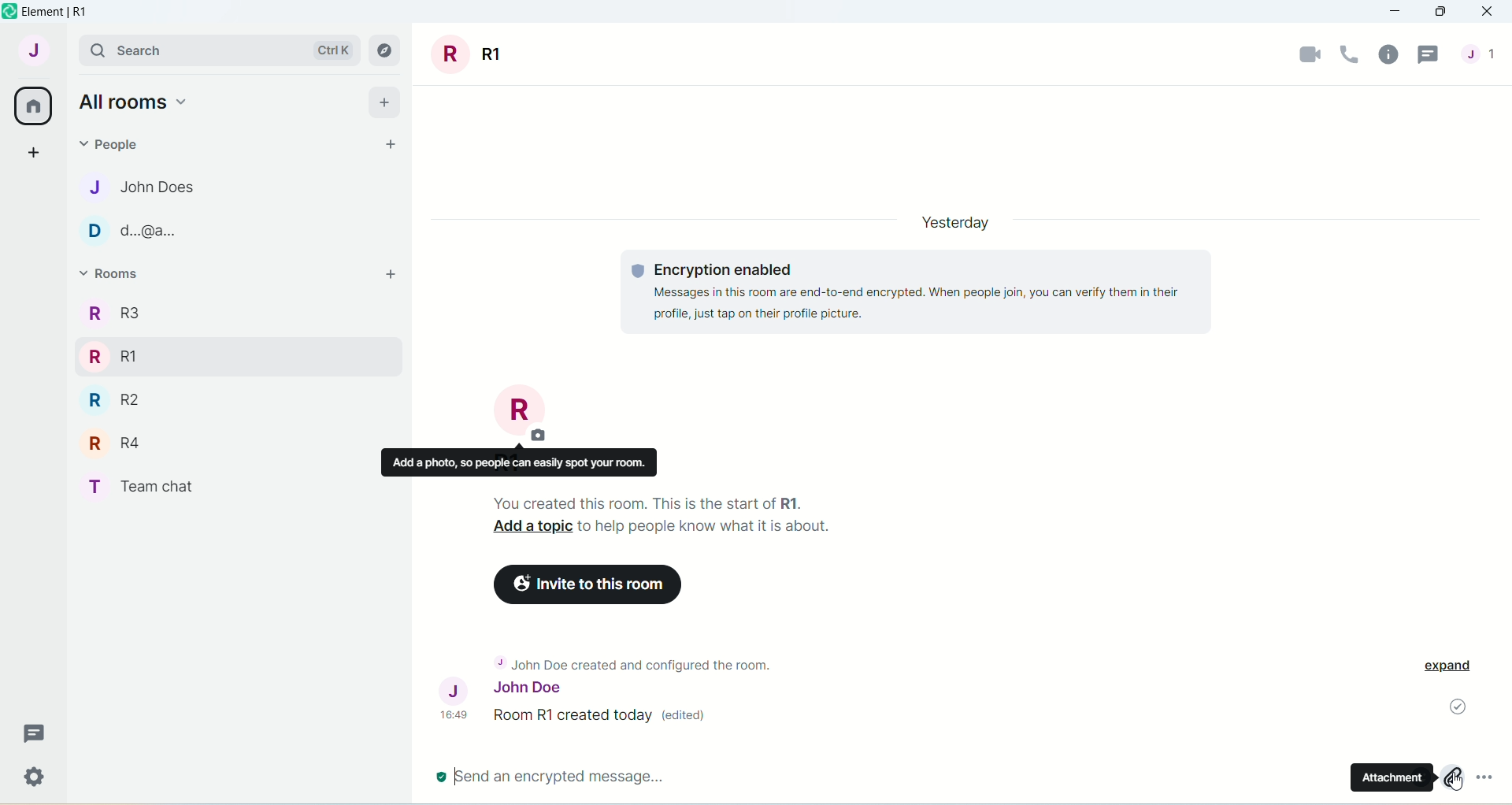 Image resolution: width=1512 pixels, height=805 pixels. What do you see at coordinates (133, 189) in the screenshot?
I see `J John Does` at bounding box center [133, 189].